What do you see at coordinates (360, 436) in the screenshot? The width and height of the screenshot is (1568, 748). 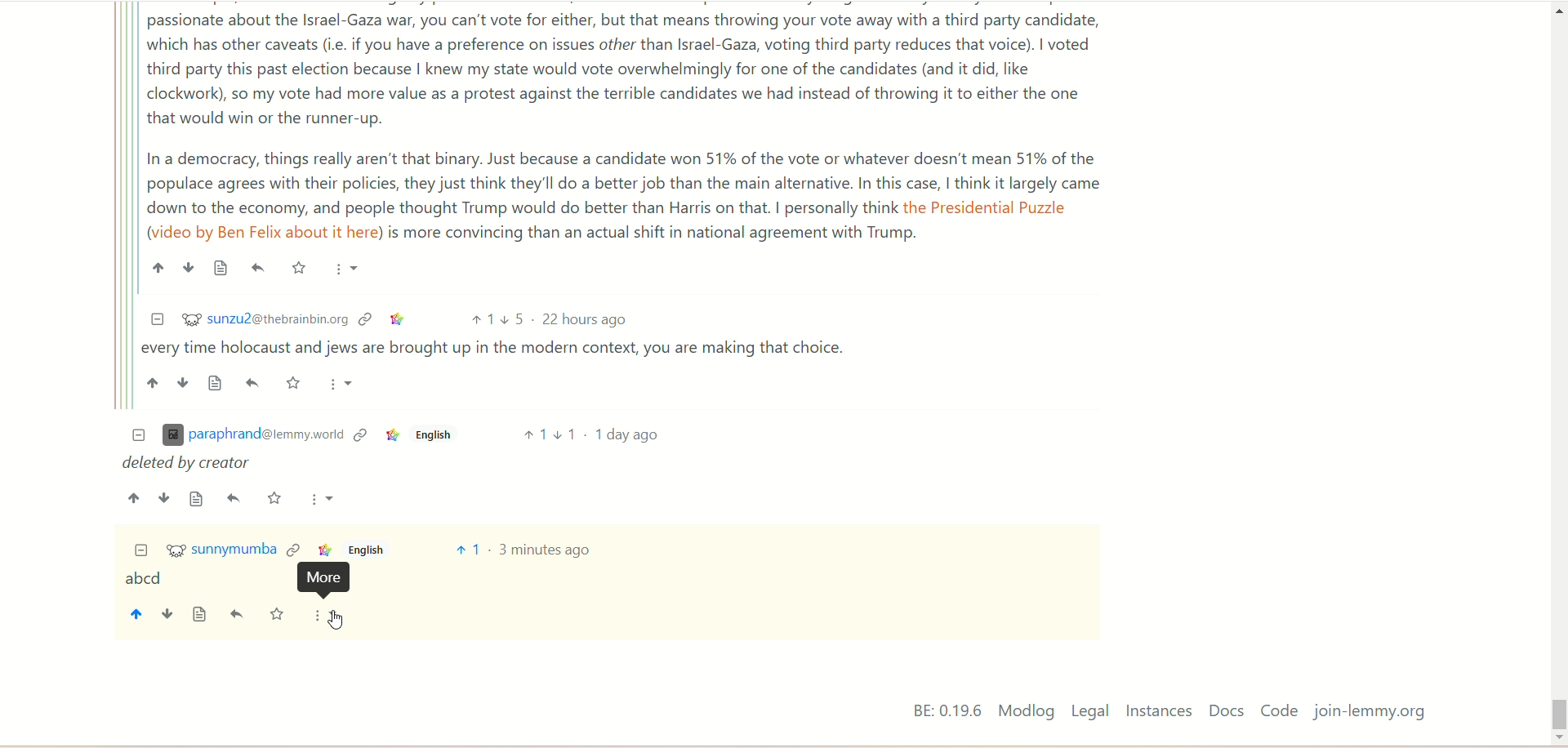 I see `Link` at bounding box center [360, 436].